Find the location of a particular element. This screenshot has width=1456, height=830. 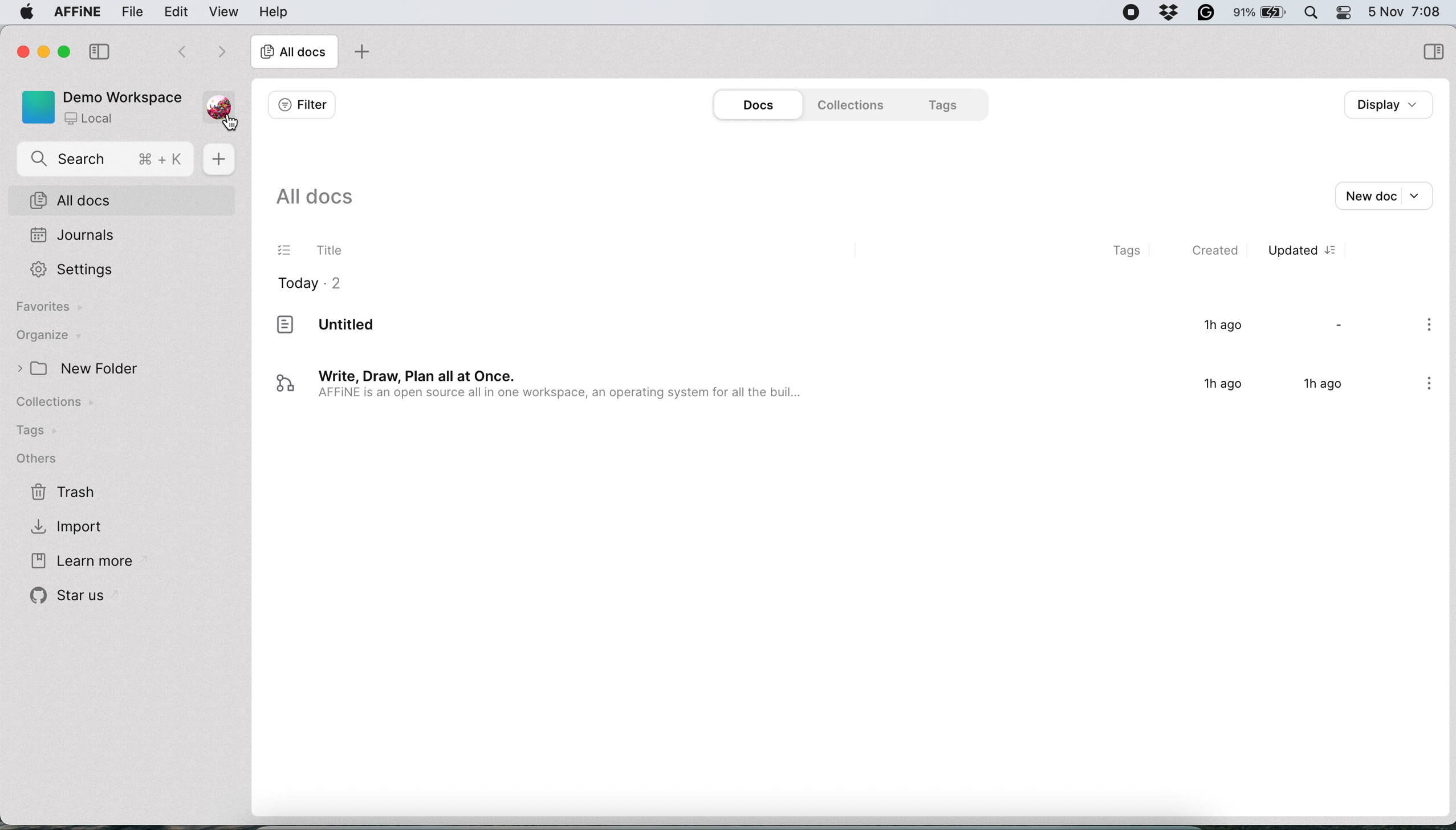

title is located at coordinates (311, 253).